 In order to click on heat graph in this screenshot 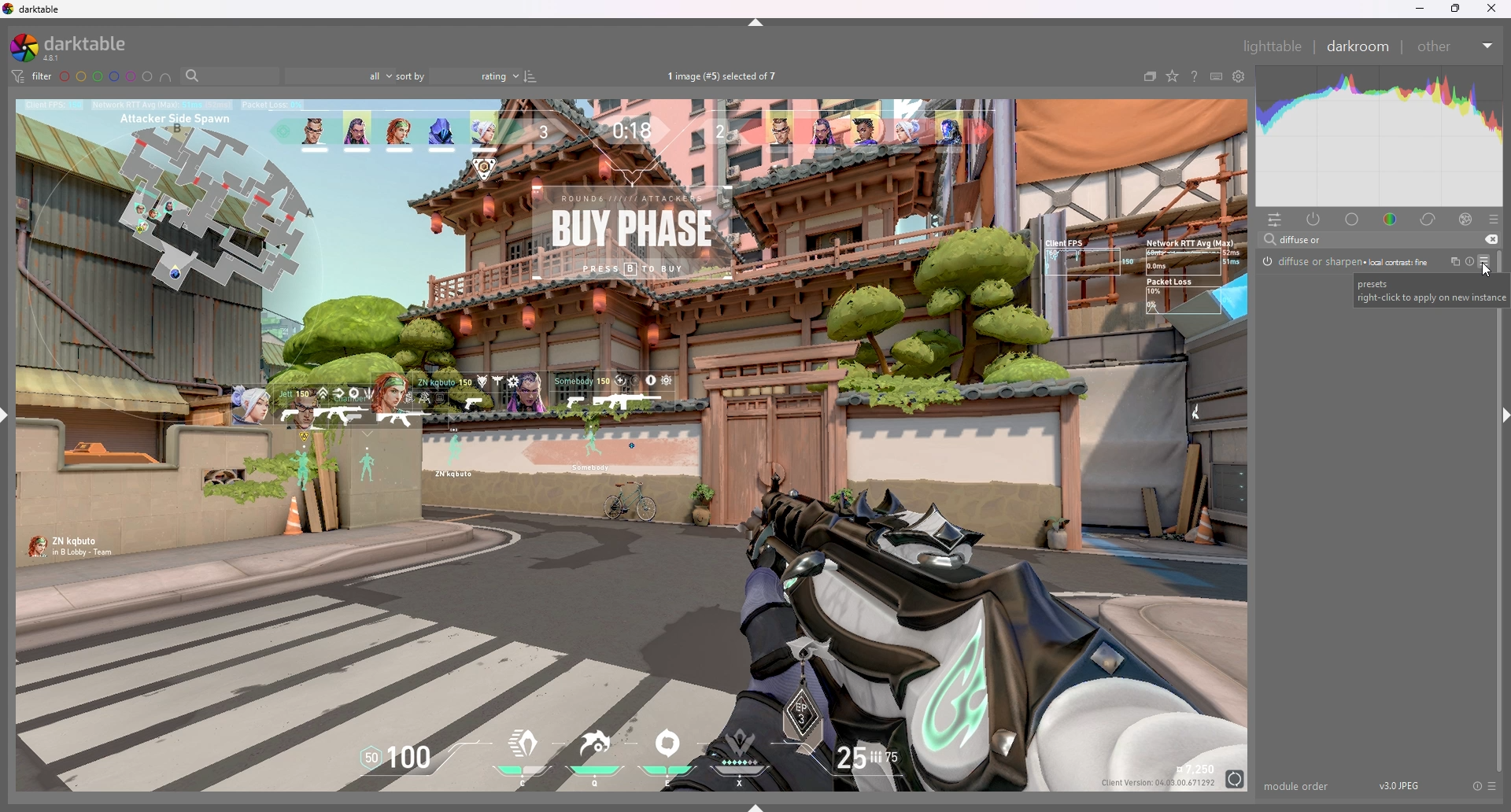, I will do `click(1380, 136)`.